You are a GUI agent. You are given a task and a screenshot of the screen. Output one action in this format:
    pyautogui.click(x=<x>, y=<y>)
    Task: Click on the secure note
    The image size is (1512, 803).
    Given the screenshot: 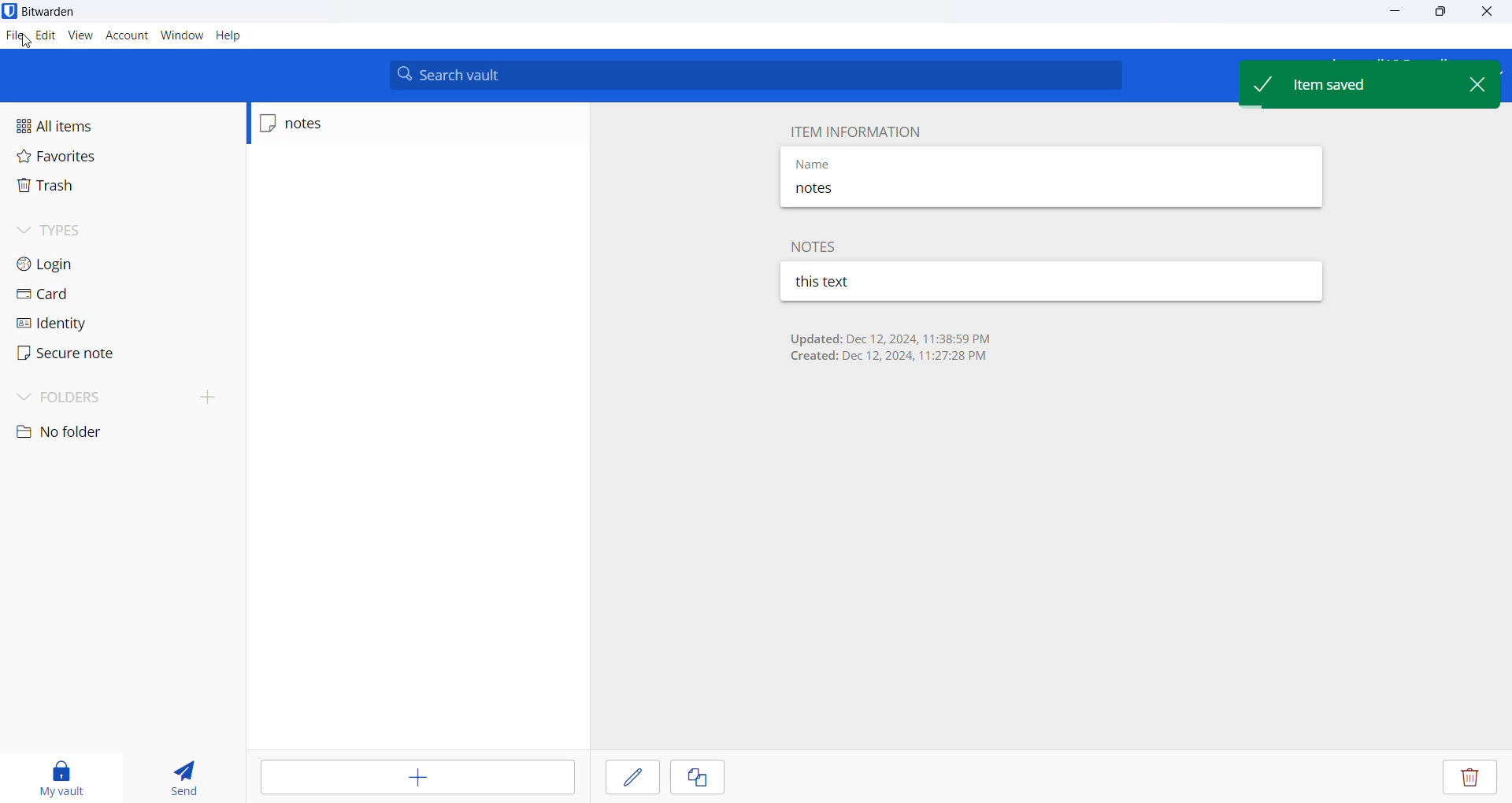 What is the action you would take?
    pyautogui.click(x=76, y=354)
    